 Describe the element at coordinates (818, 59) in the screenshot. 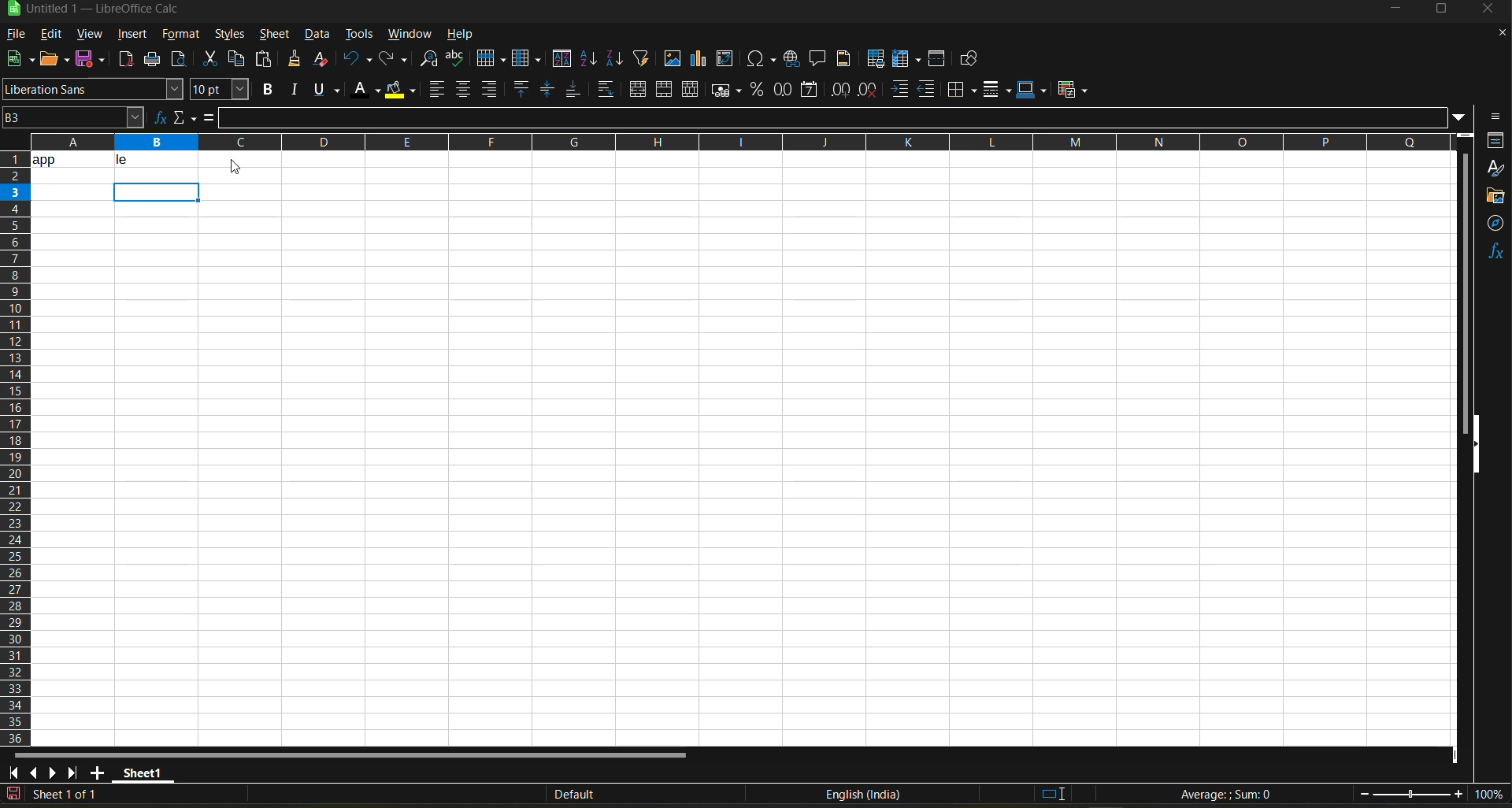

I see `insert comment` at that location.